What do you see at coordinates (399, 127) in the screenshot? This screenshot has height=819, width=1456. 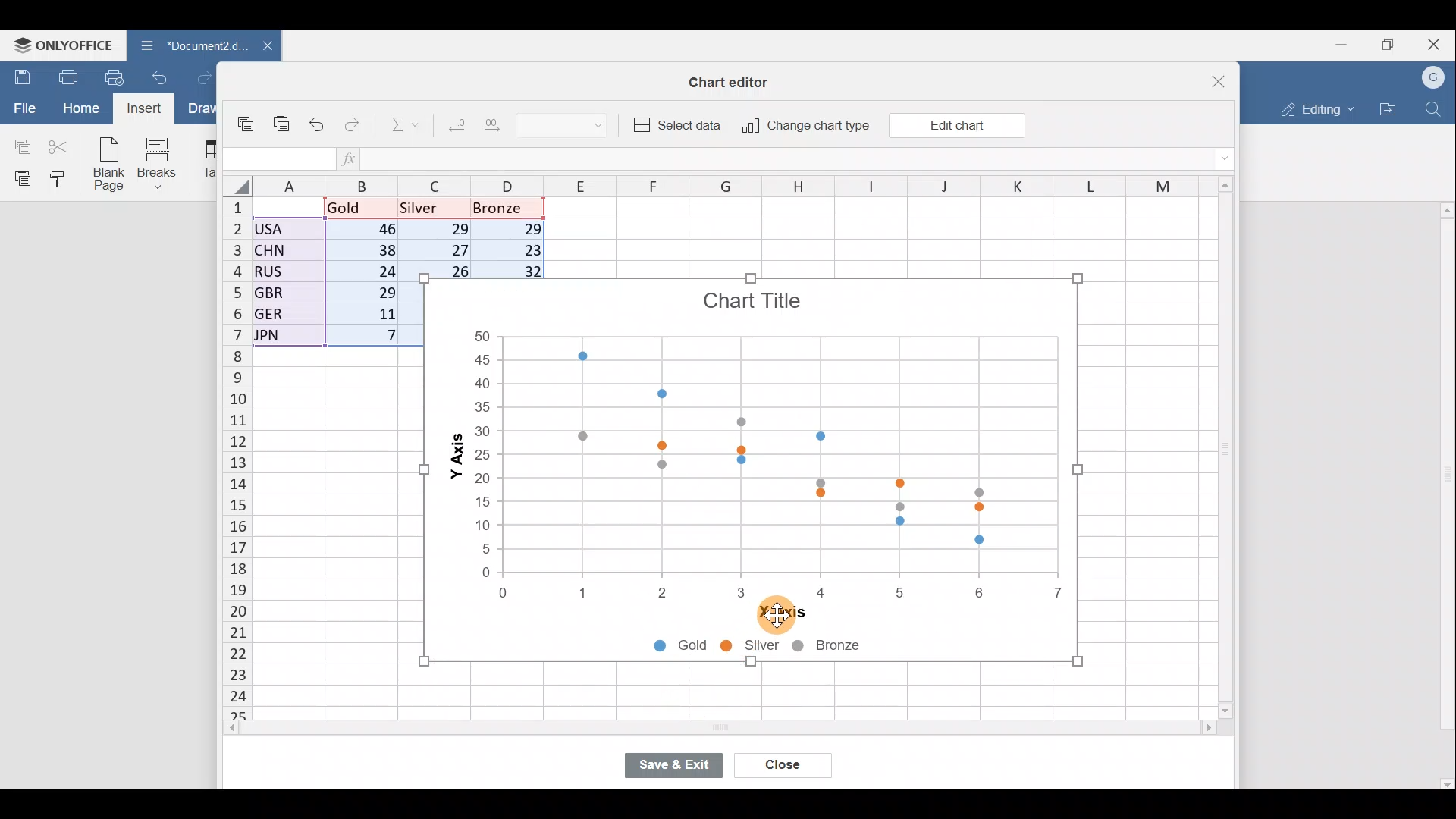 I see `Summation` at bounding box center [399, 127].